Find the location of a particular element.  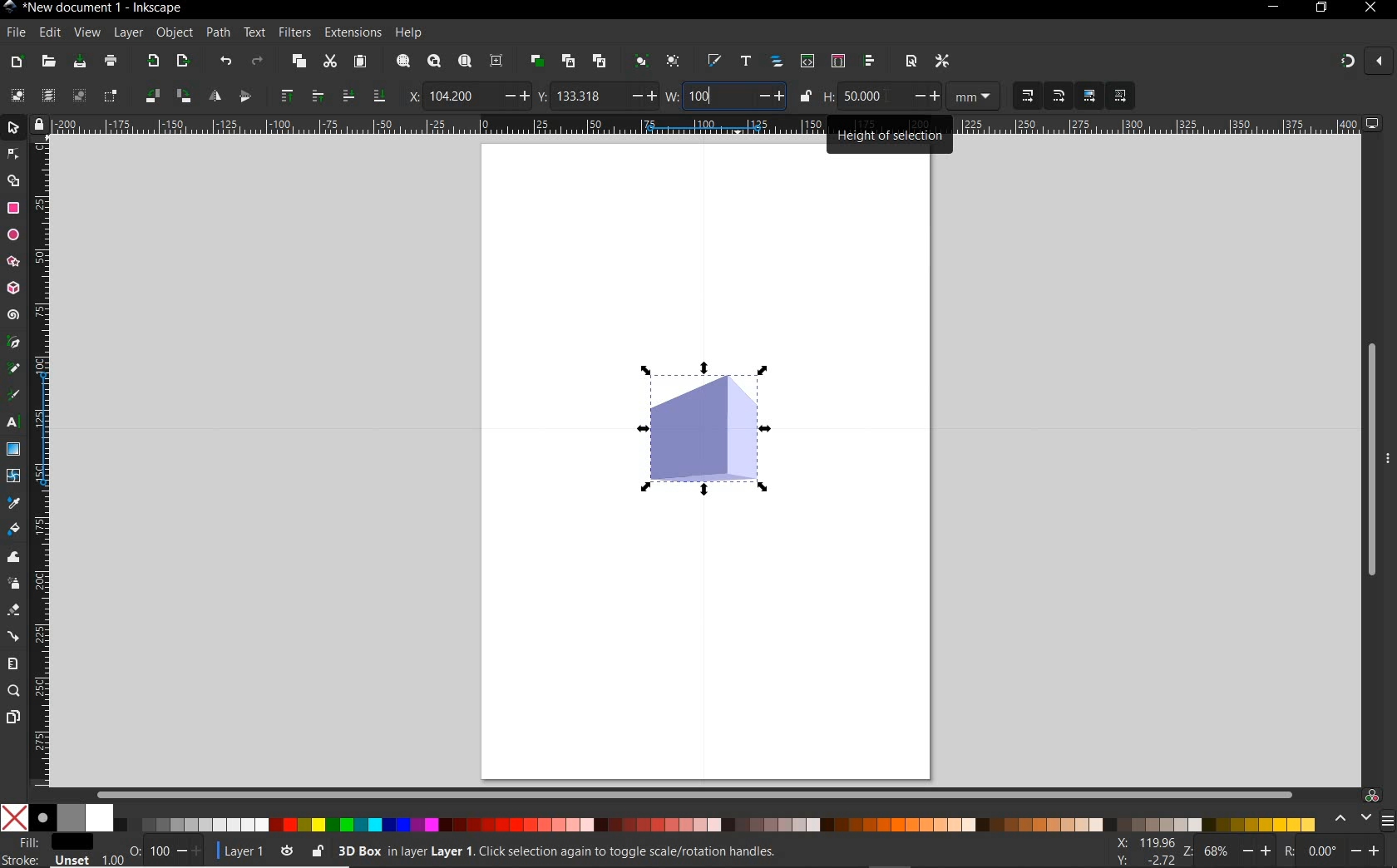

dropper tool is located at coordinates (16, 503).